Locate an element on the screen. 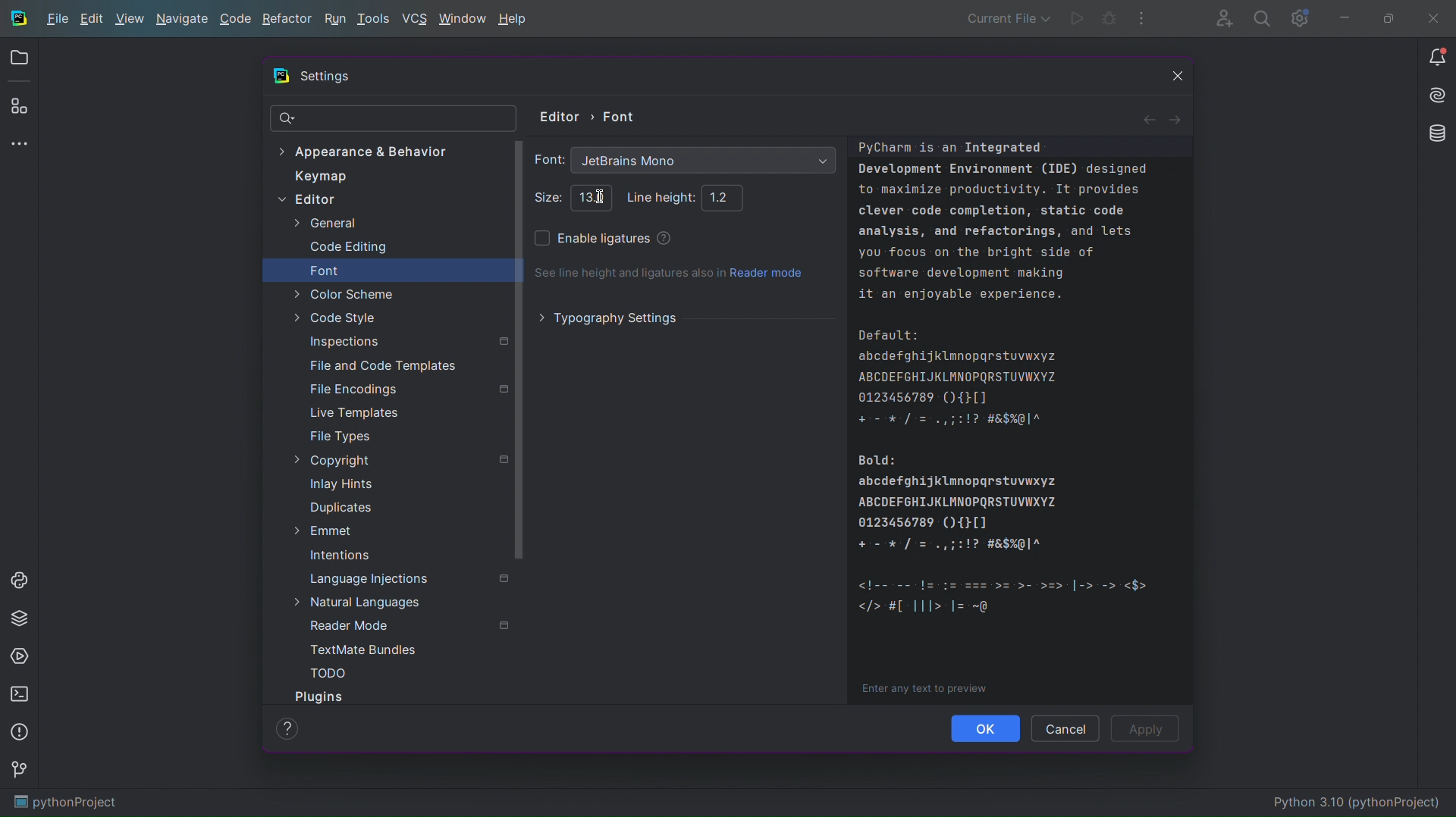 Image resolution: width=1456 pixels, height=817 pixels. Inspections is located at coordinates (407, 340).